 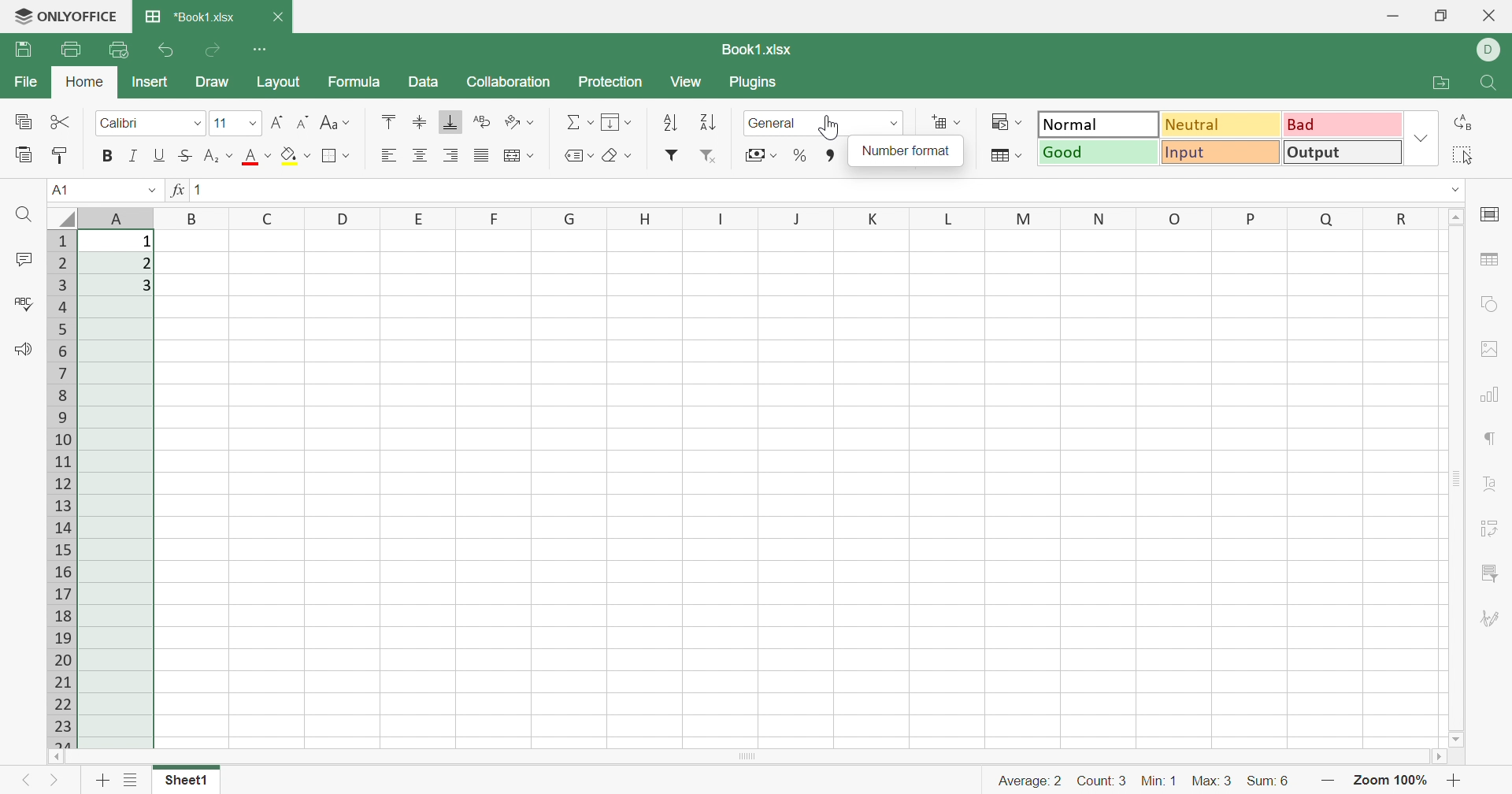 I want to click on Column names, so click(x=765, y=217).